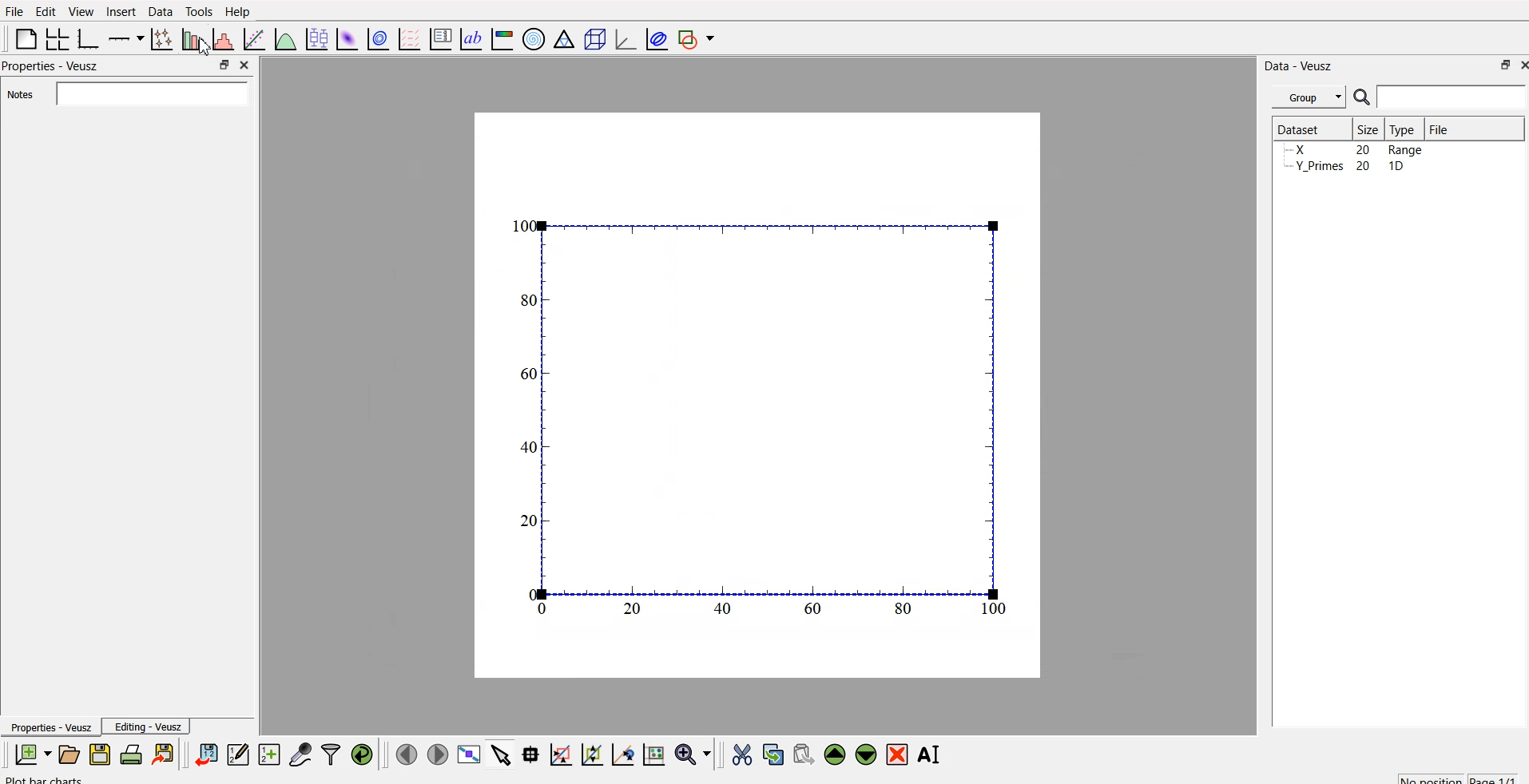  I want to click on no position page 1/1, so click(1450, 776).